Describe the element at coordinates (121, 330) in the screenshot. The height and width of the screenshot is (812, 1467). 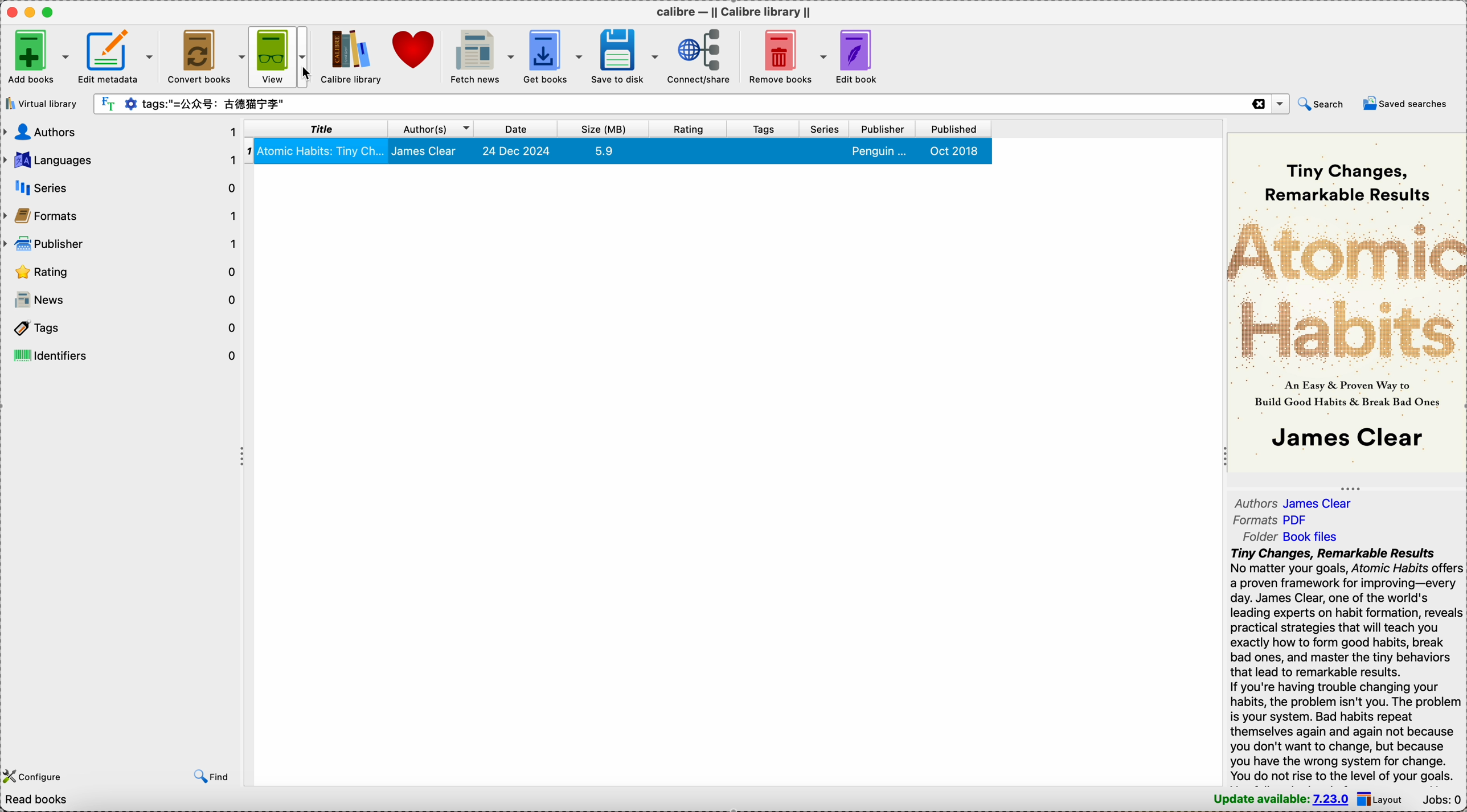
I see `tags` at that location.